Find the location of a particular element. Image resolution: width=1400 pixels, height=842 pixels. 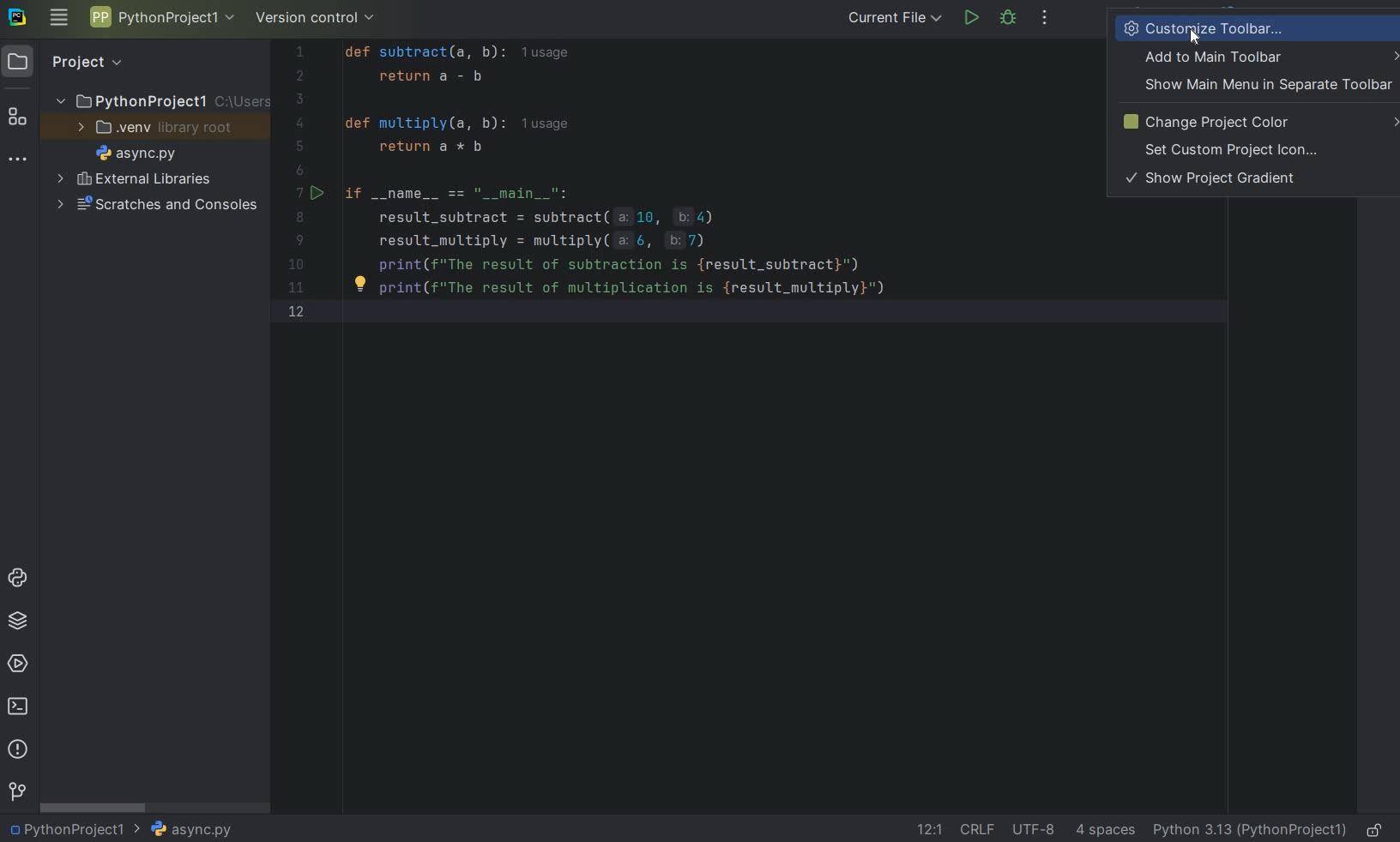

VERSION CONTROL is located at coordinates (316, 21).